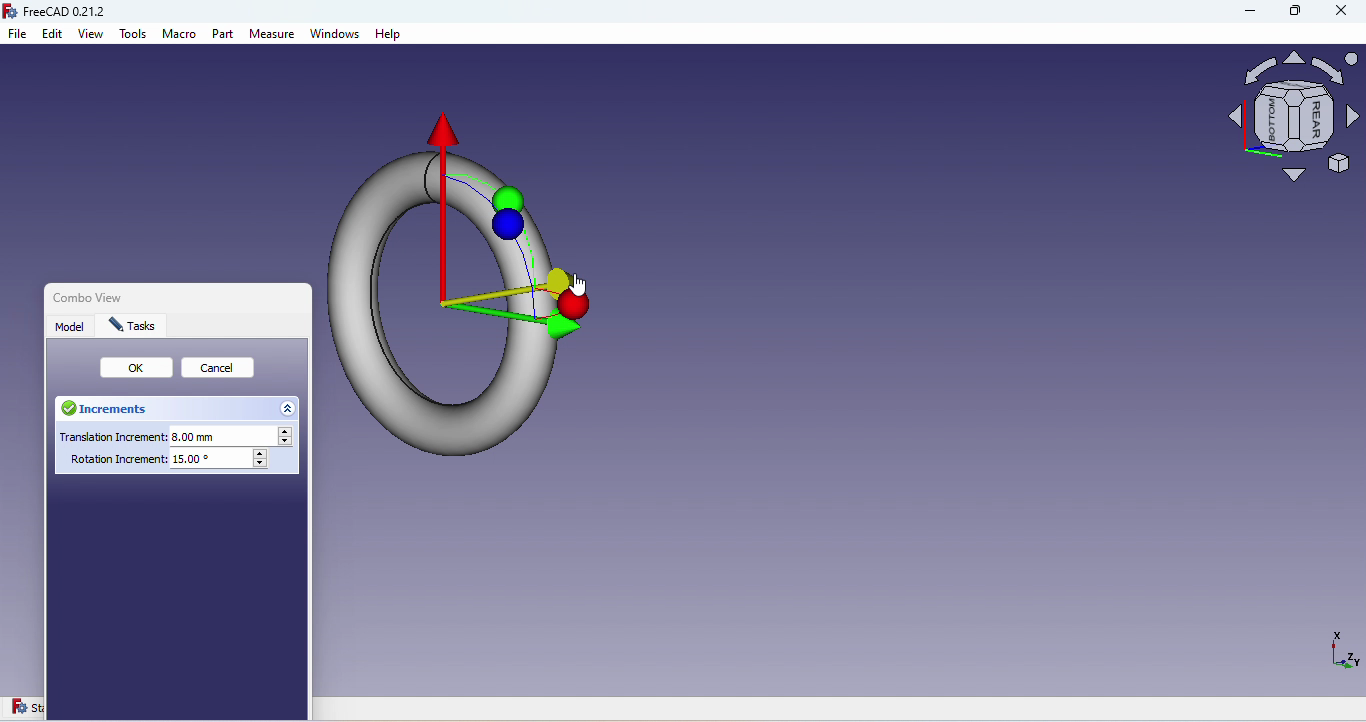 This screenshot has width=1366, height=722. What do you see at coordinates (262, 464) in the screenshot?
I see `Decrease rotation increment` at bounding box center [262, 464].